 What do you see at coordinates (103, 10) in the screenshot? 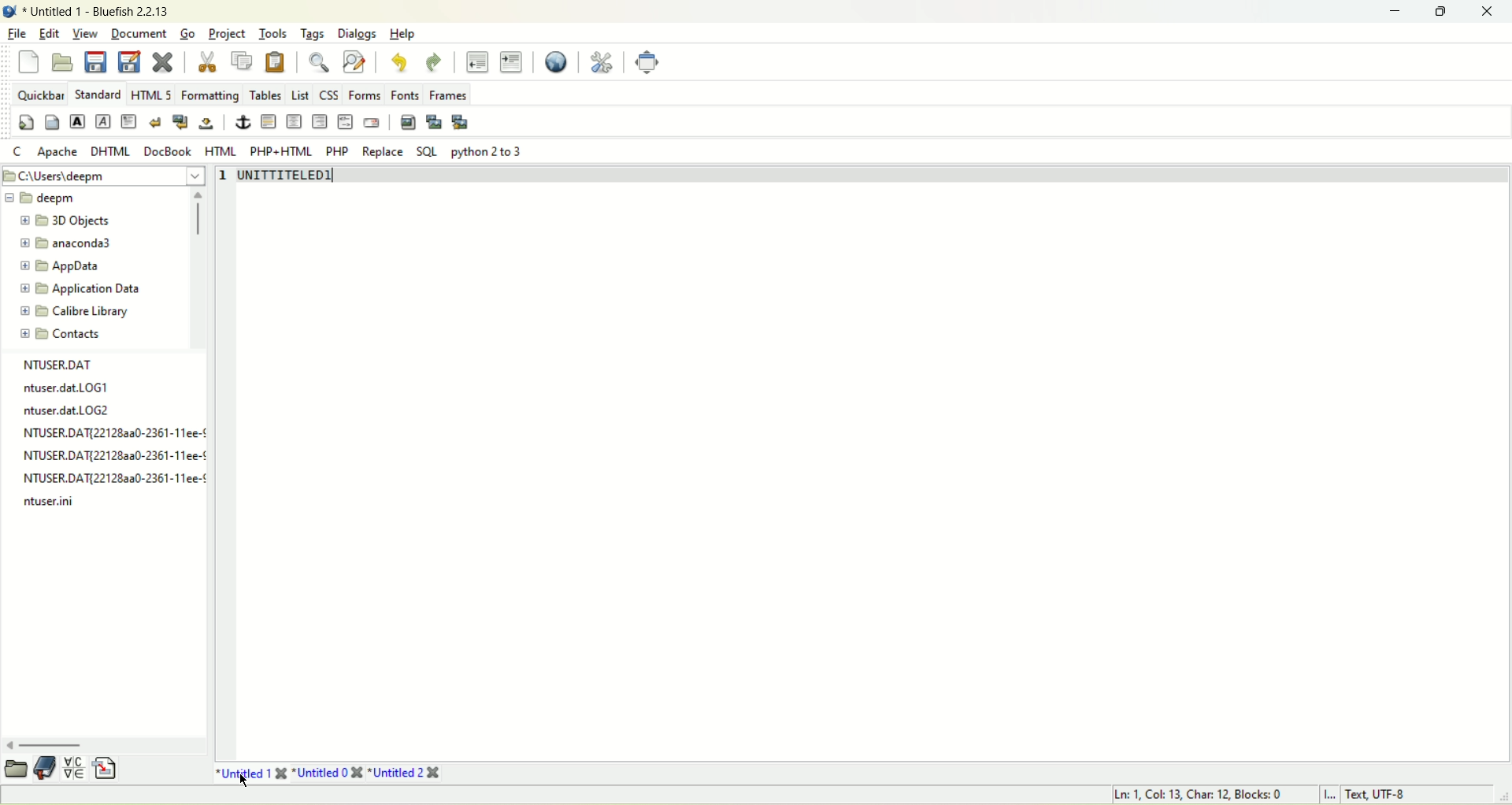
I see `title ` at bounding box center [103, 10].